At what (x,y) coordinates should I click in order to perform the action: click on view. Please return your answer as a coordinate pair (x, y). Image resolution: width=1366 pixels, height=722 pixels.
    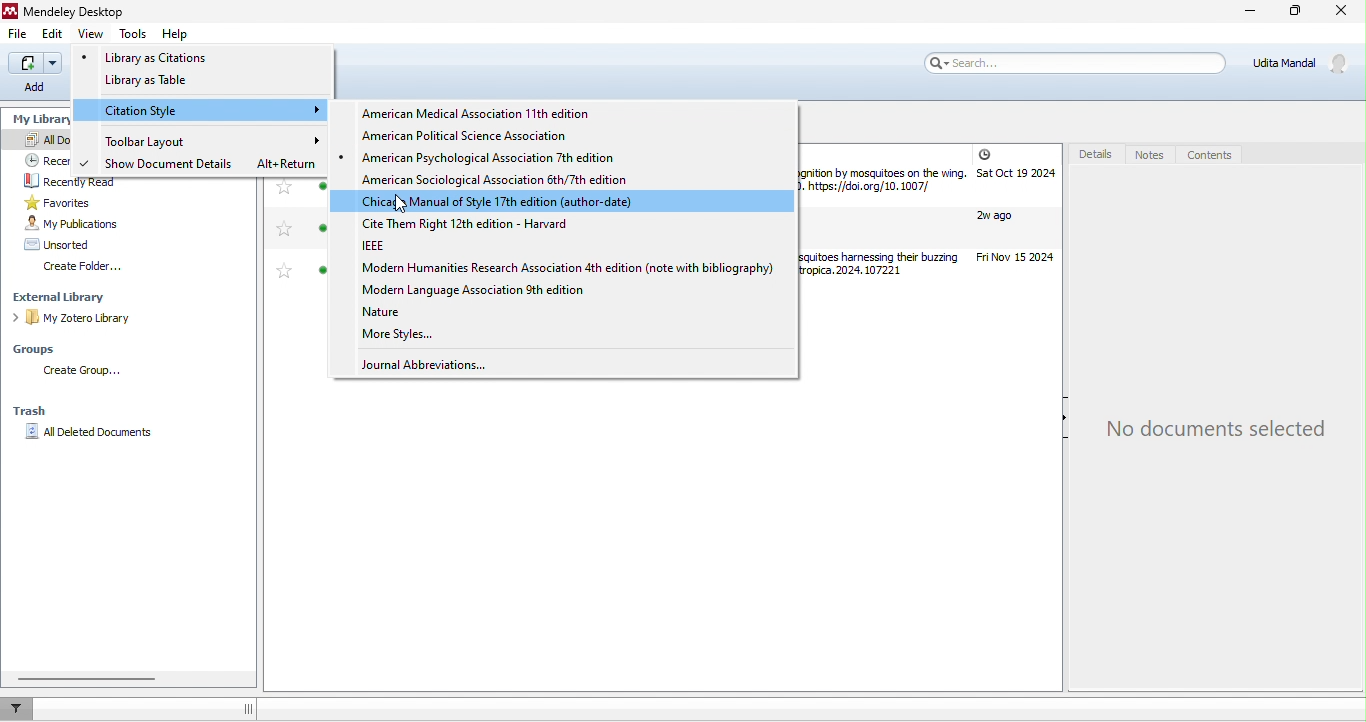
    Looking at the image, I should click on (94, 35).